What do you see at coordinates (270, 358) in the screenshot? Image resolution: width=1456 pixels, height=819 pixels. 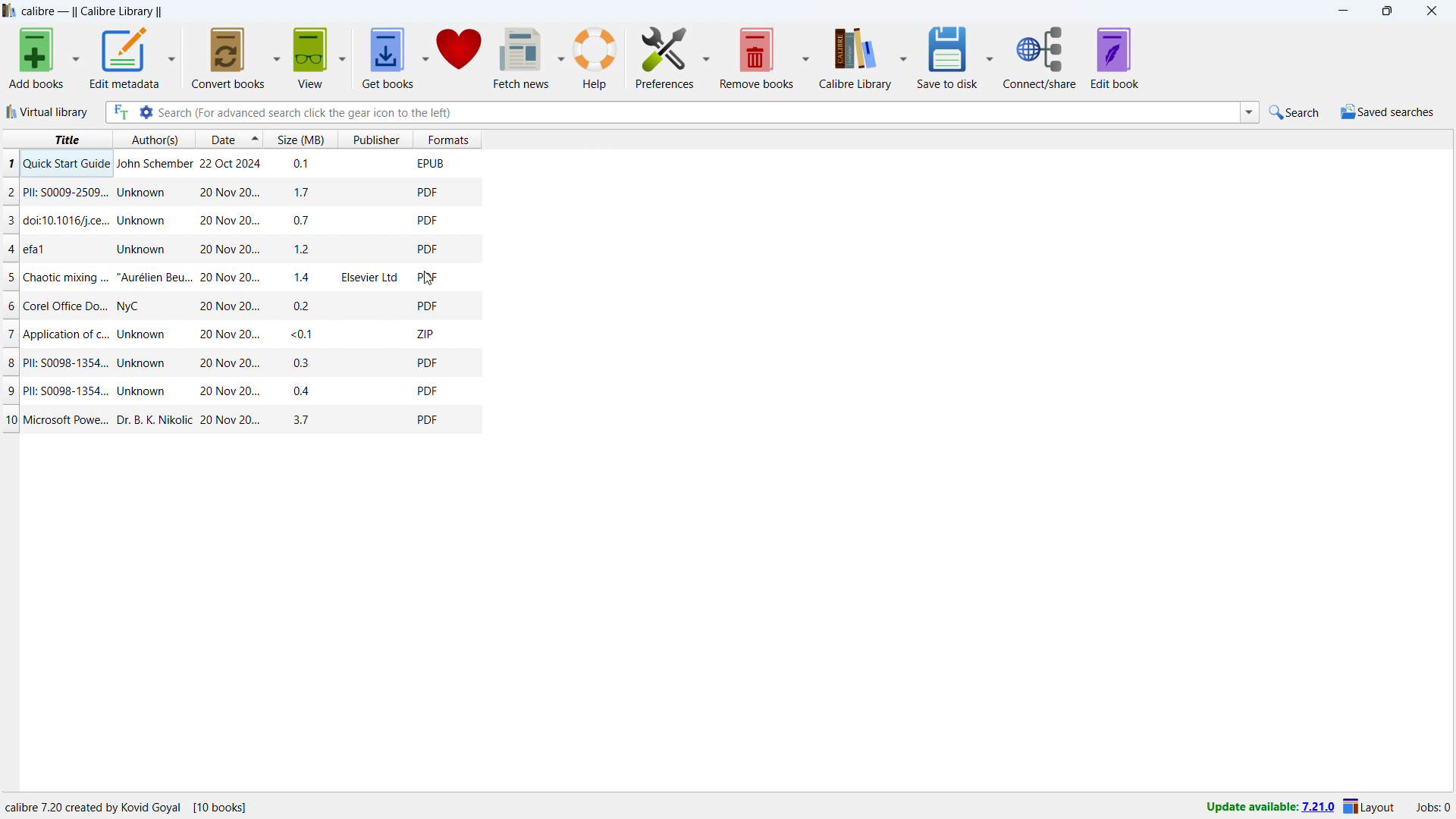 I see `8 PII: S0098-1354... Unknown 20 Nov 20... 03 PDF` at bounding box center [270, 358].